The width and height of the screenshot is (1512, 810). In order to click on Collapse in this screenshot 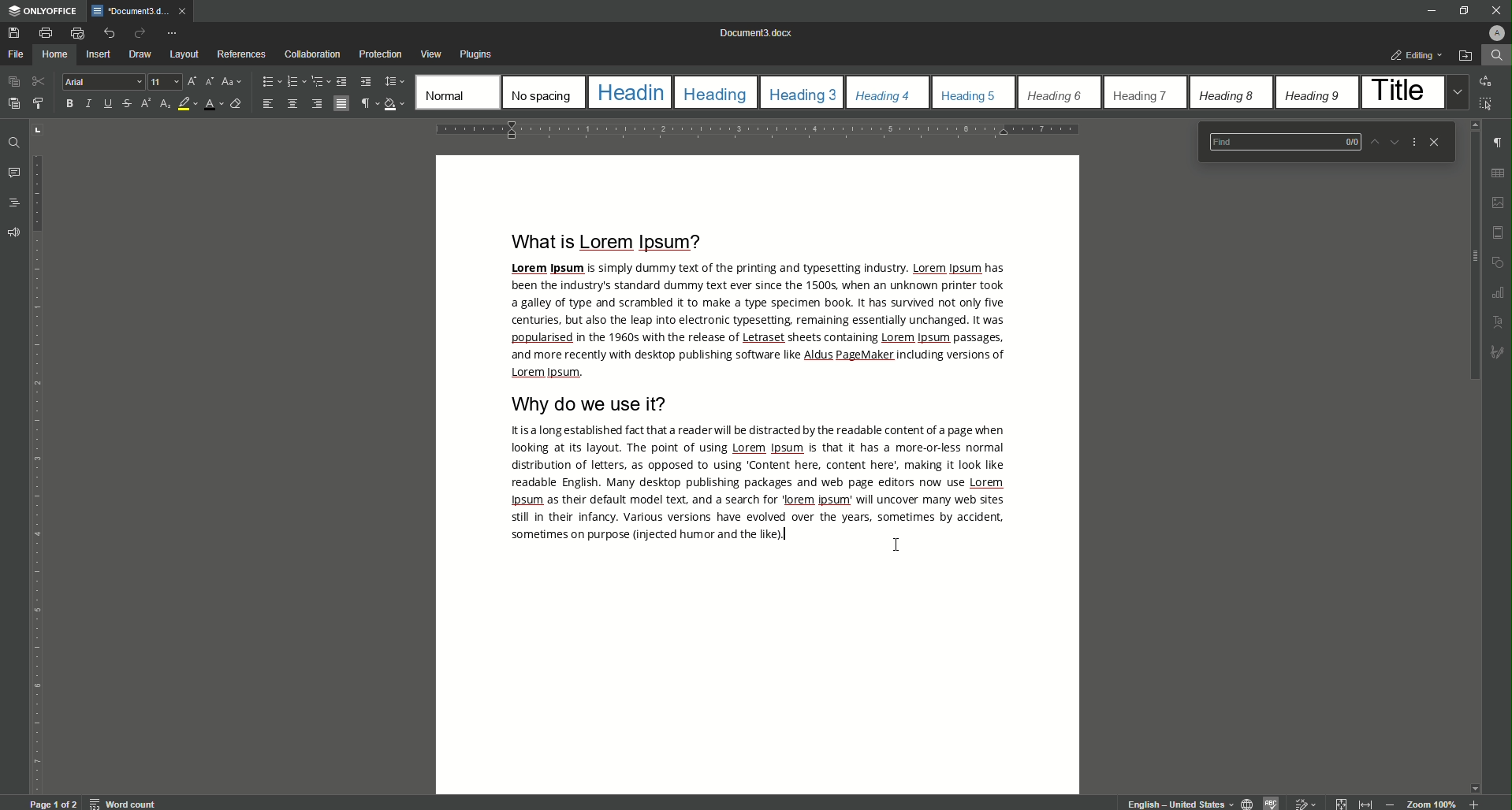, I will do `click(1339, 803)`.